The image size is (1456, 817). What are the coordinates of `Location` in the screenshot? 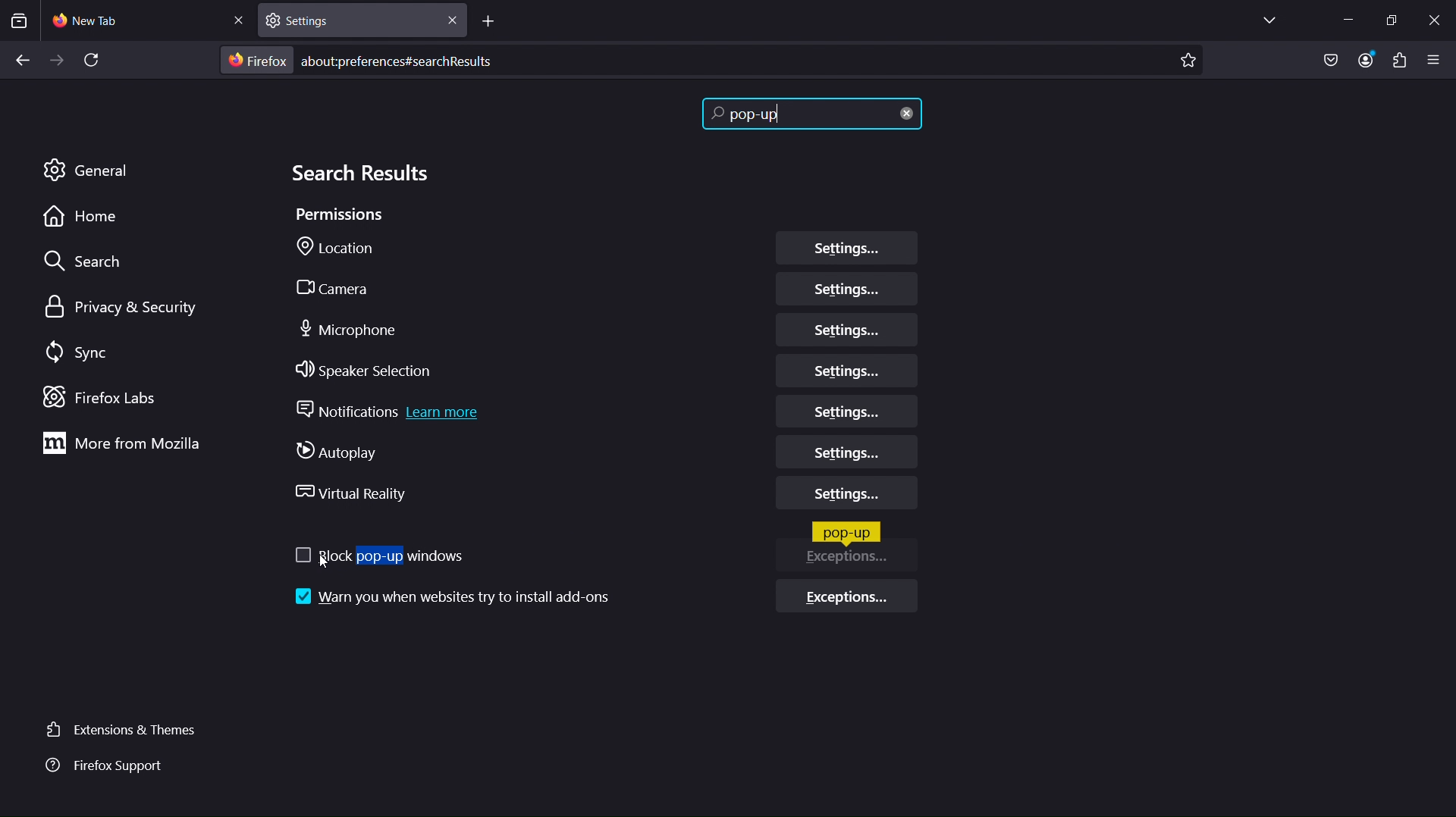 It's located at (342, 249).